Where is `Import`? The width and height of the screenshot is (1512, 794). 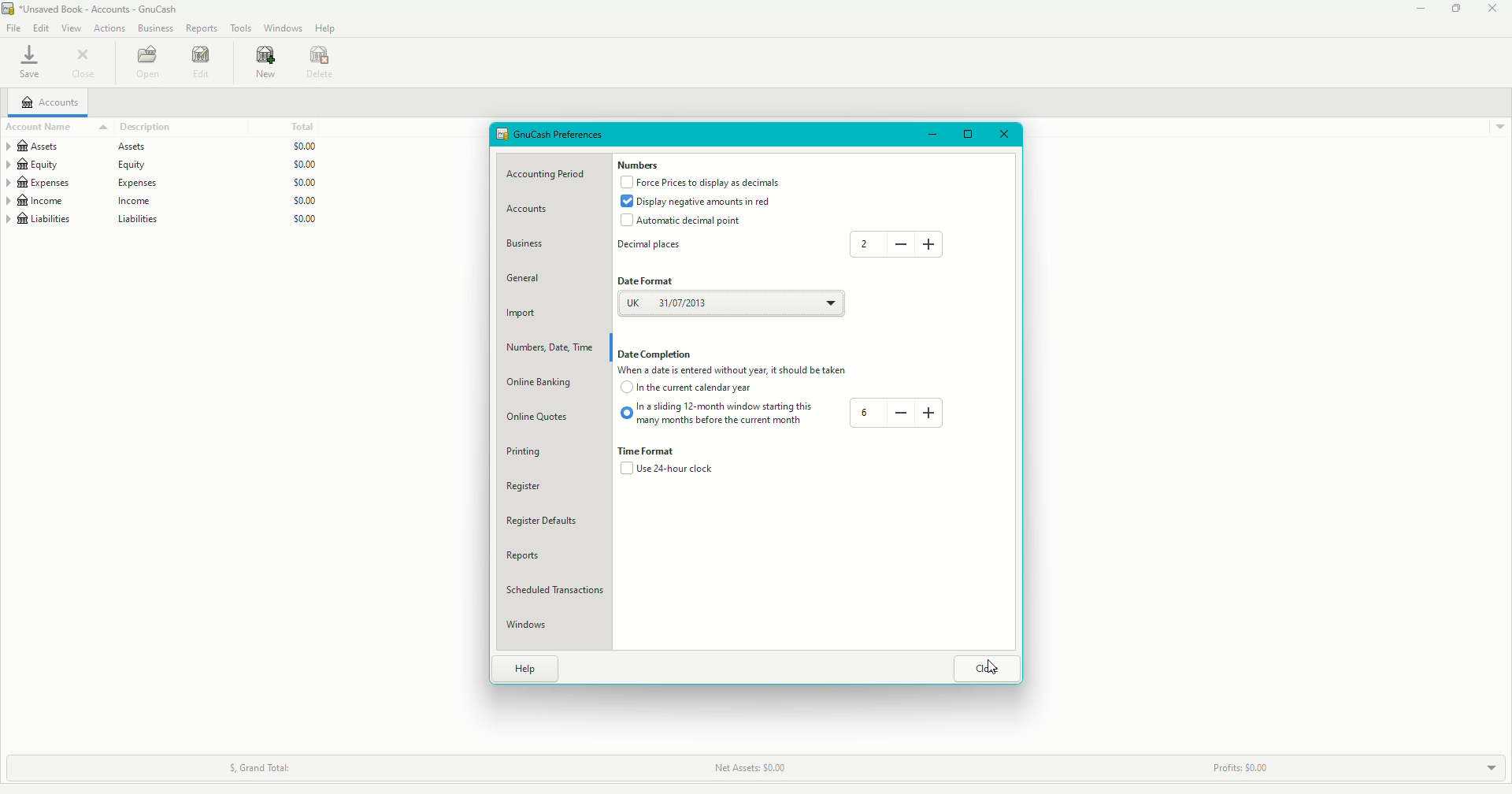 Import is located at coordinates (523, 314).